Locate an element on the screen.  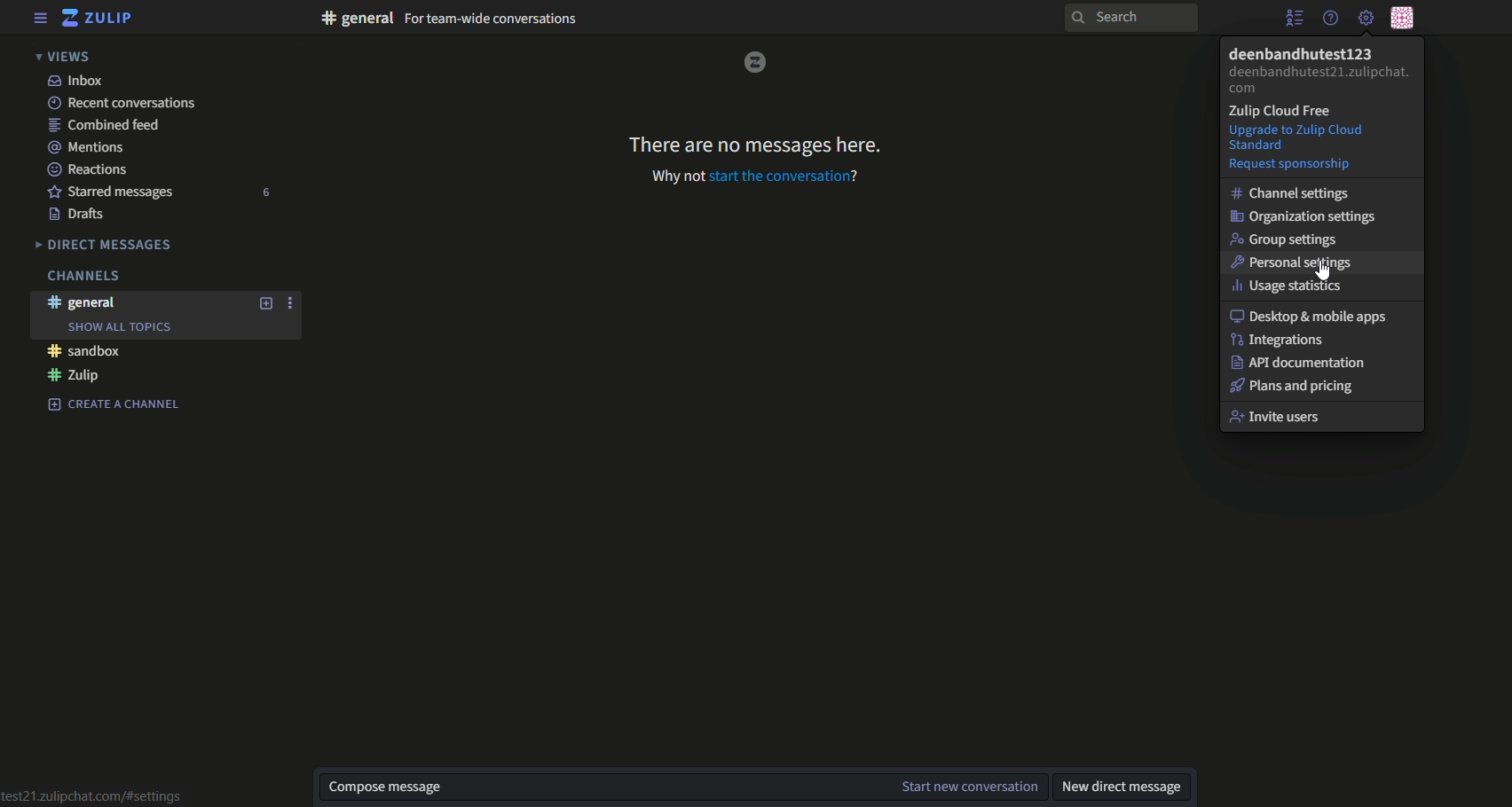
logo and title is located at coordinates (99, 18).